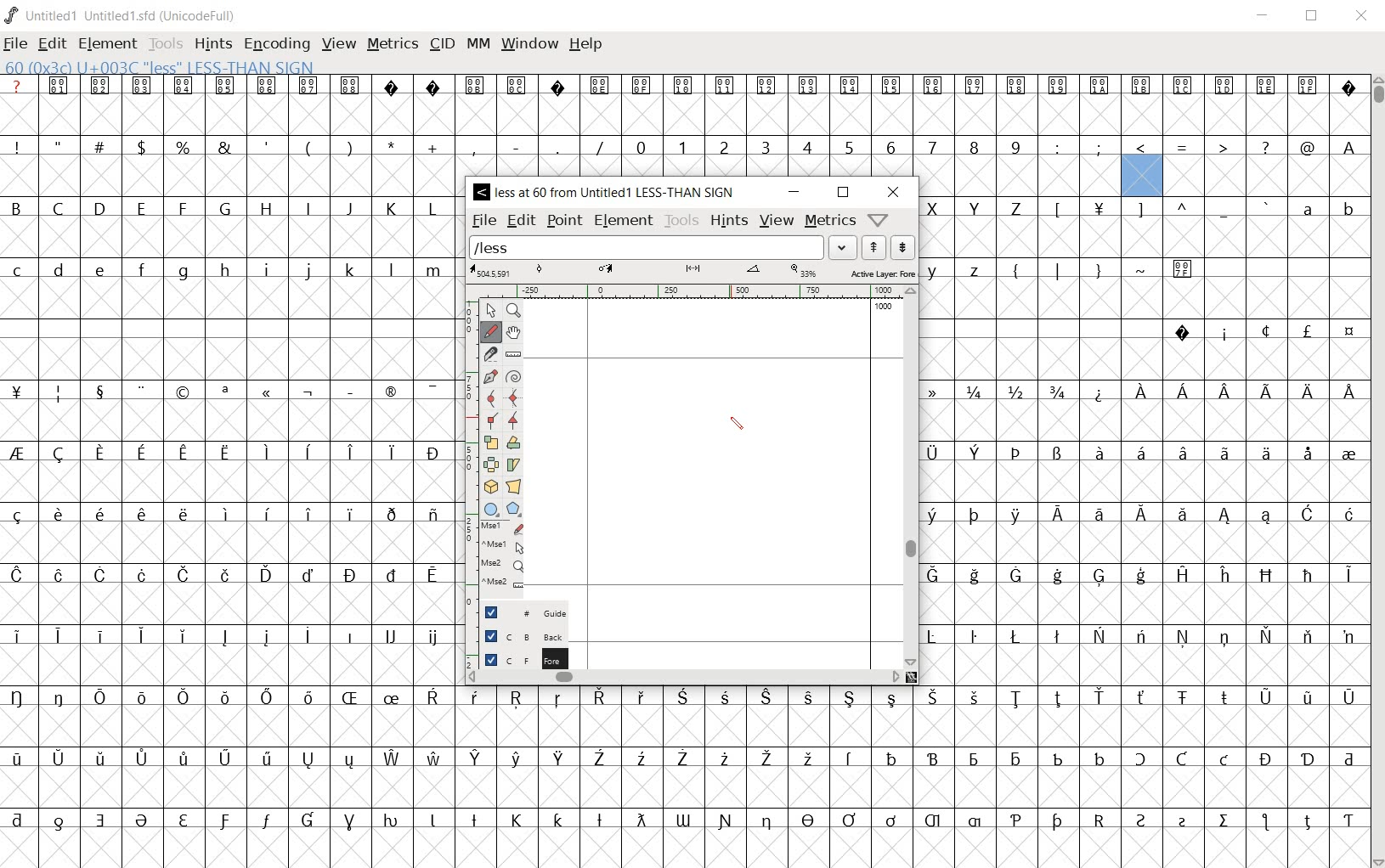  Describe the element at coordinates (523, 612) in the screenshot. I see `guide` at that location.